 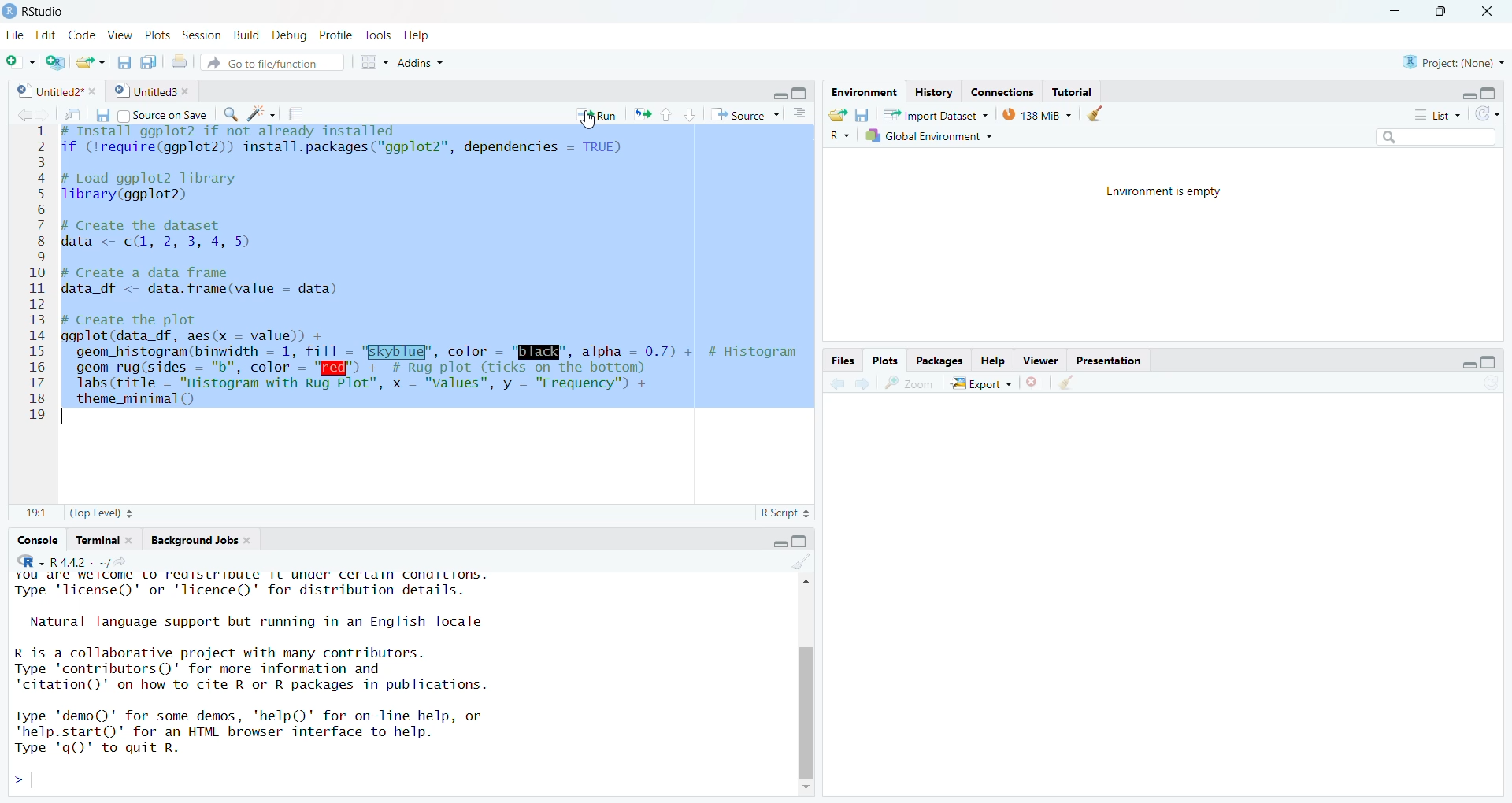 I want to click on D Rstudio, so click(x=69, y=11).